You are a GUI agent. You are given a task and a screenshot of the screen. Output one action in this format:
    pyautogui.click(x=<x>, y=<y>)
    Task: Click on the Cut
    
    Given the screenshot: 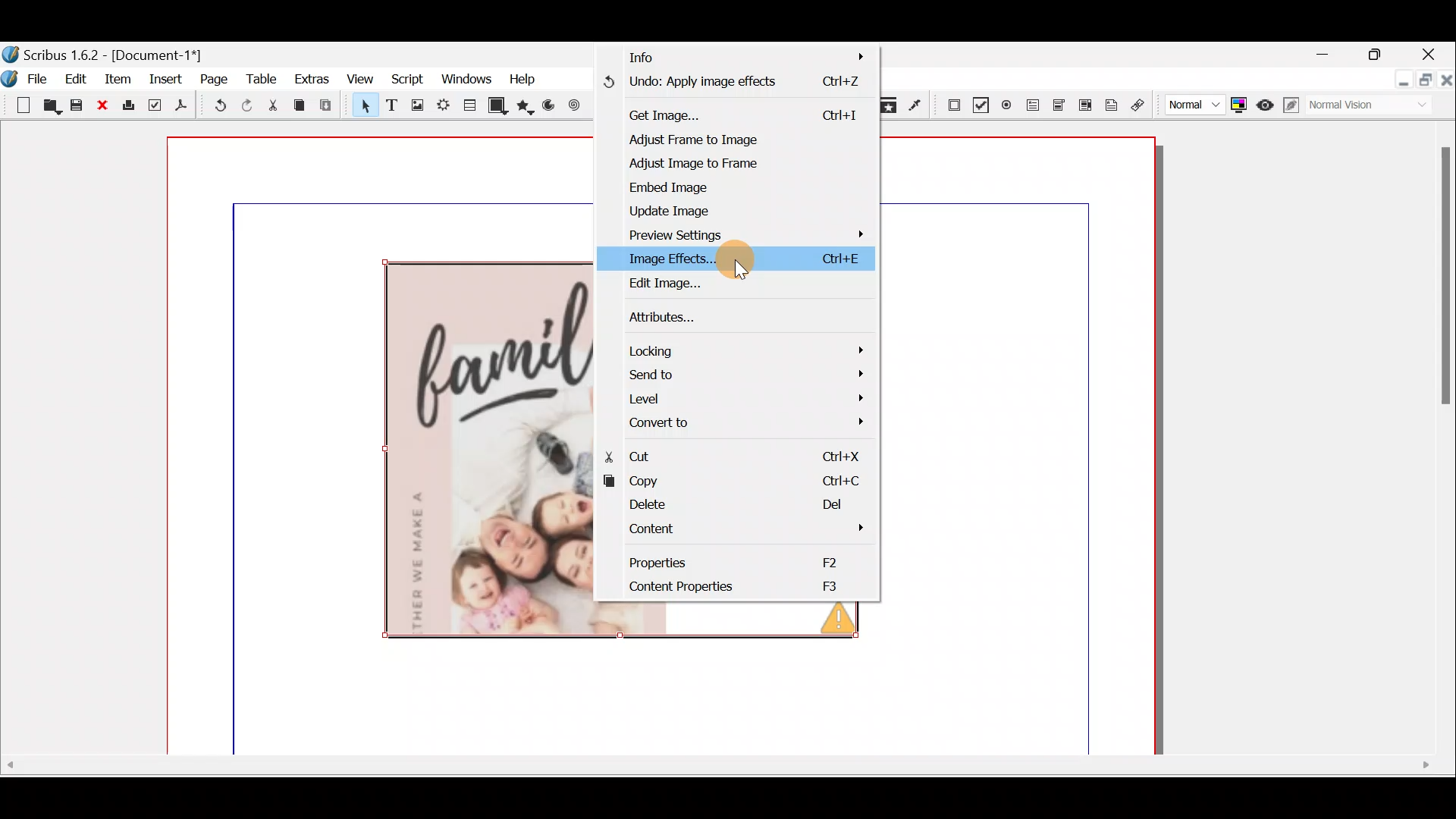 What is the action you would take?
    pyautogui.click(x=746, y=452)
    